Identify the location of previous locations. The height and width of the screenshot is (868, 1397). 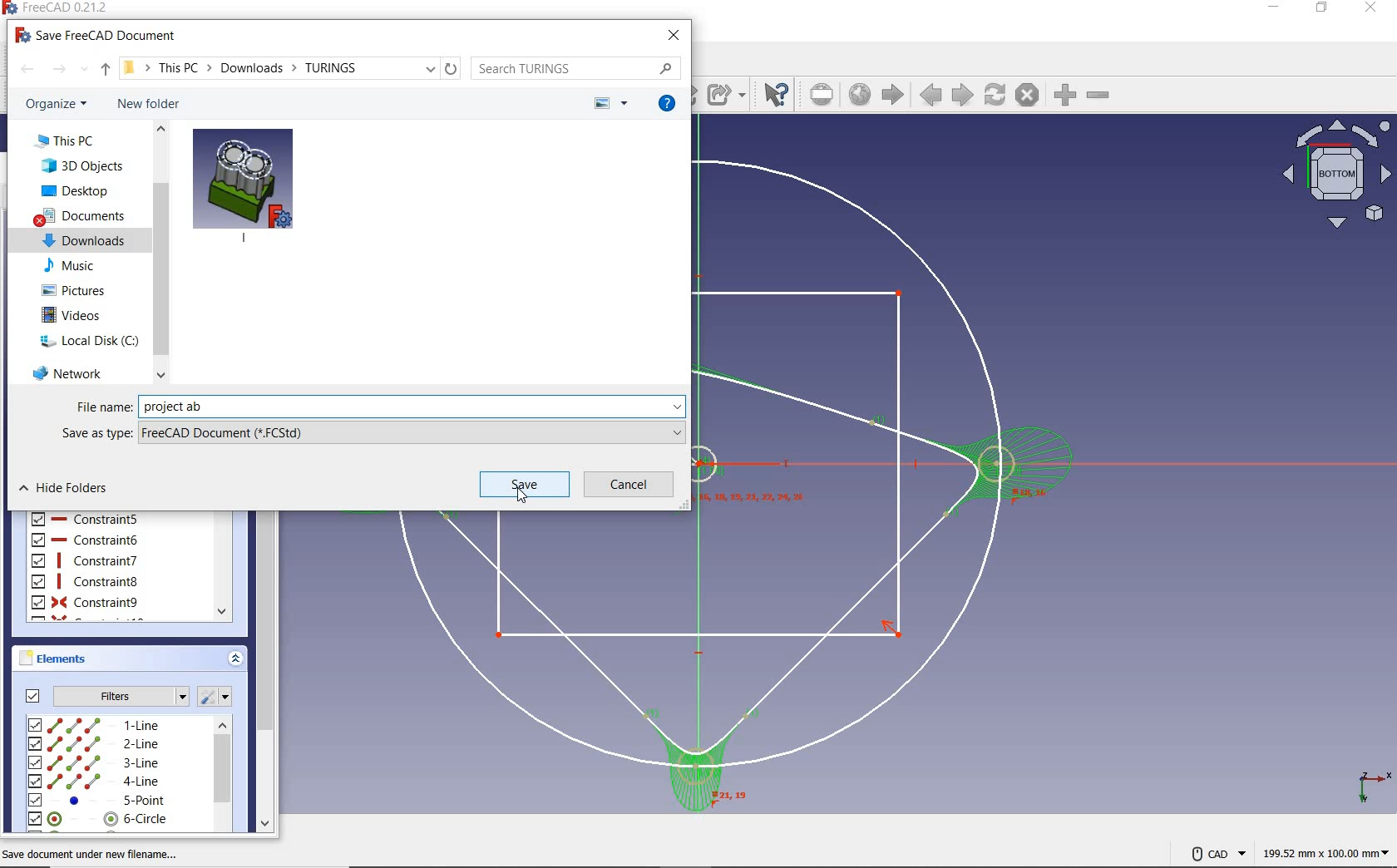
(432, 68).